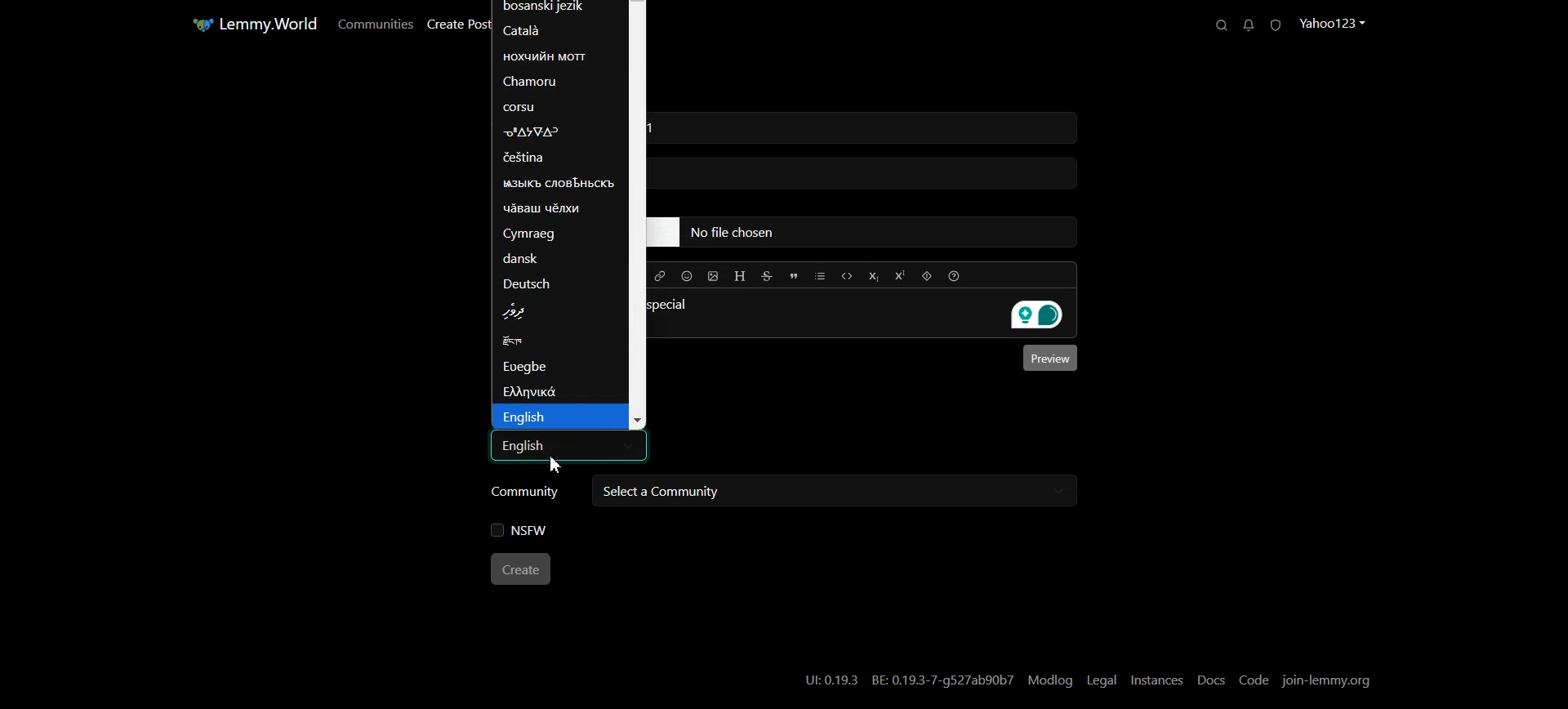 The image size is (1568, 709). I want to click on Code, so click(848, 275).